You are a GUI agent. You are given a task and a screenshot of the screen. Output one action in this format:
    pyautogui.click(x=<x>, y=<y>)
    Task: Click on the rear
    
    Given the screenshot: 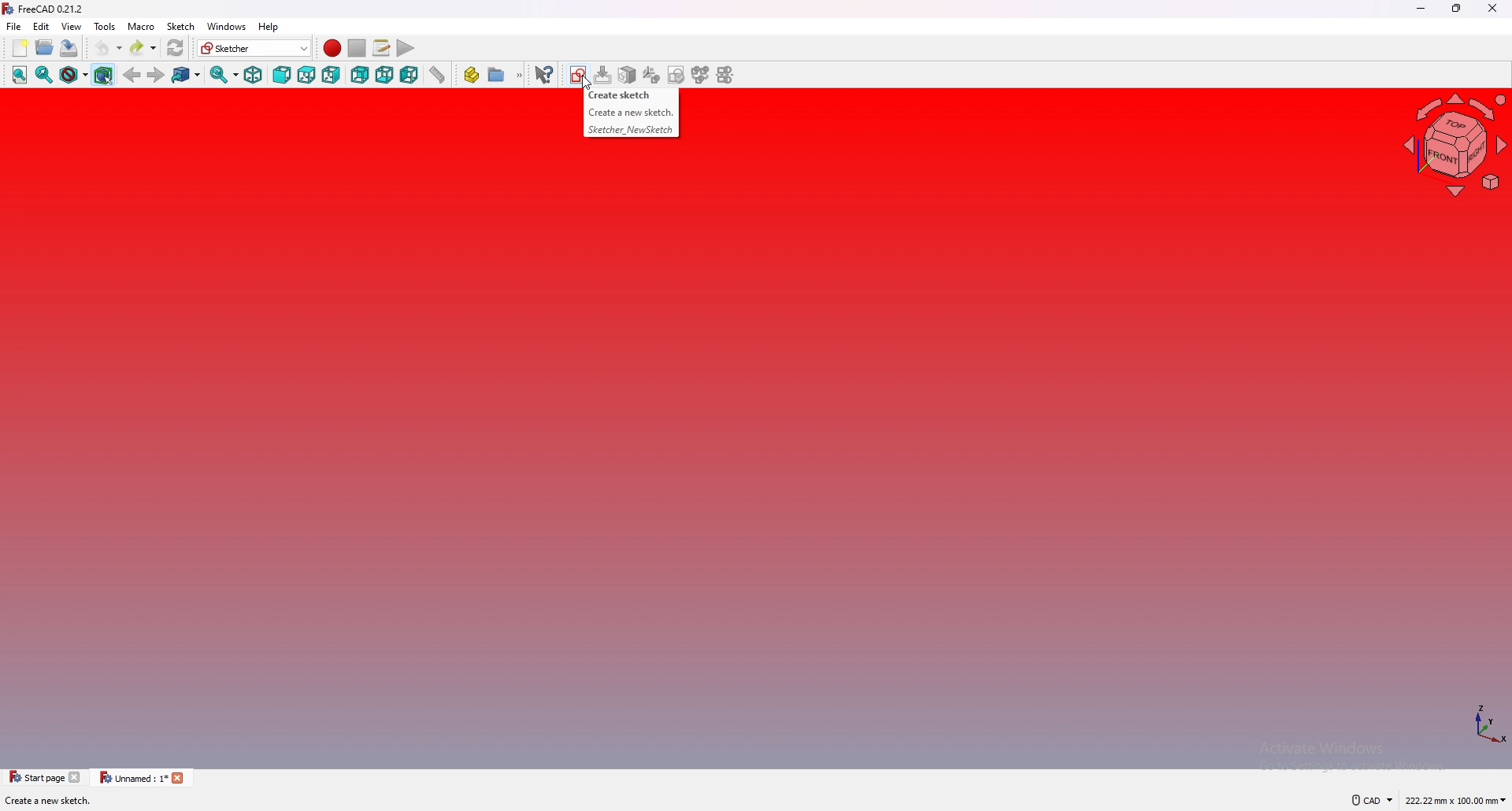 What is the action you would take?
    pyautogui.click(x=359, y=75)
    